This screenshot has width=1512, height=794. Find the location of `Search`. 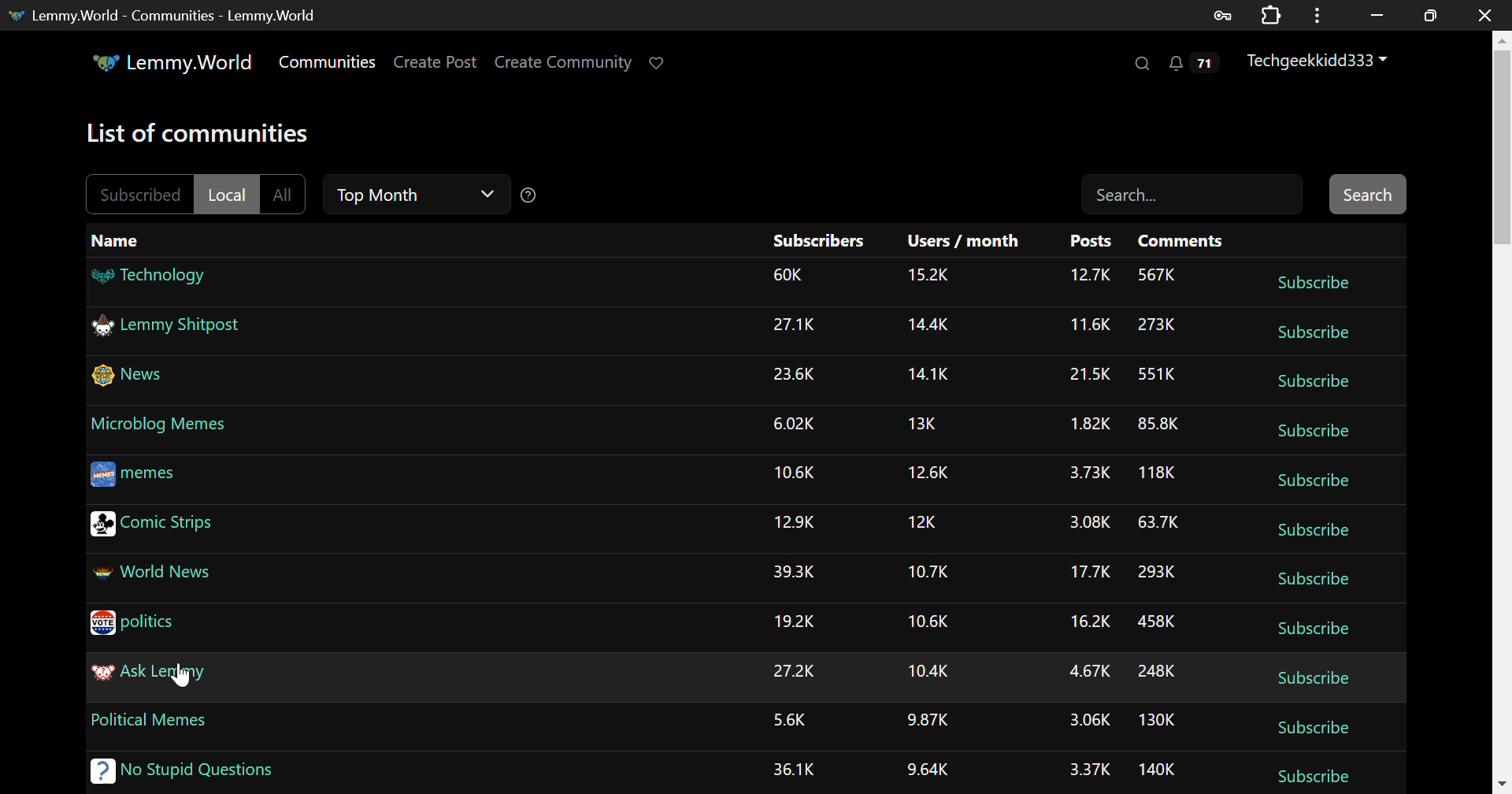

Search is located at coordinates (1366, 195).